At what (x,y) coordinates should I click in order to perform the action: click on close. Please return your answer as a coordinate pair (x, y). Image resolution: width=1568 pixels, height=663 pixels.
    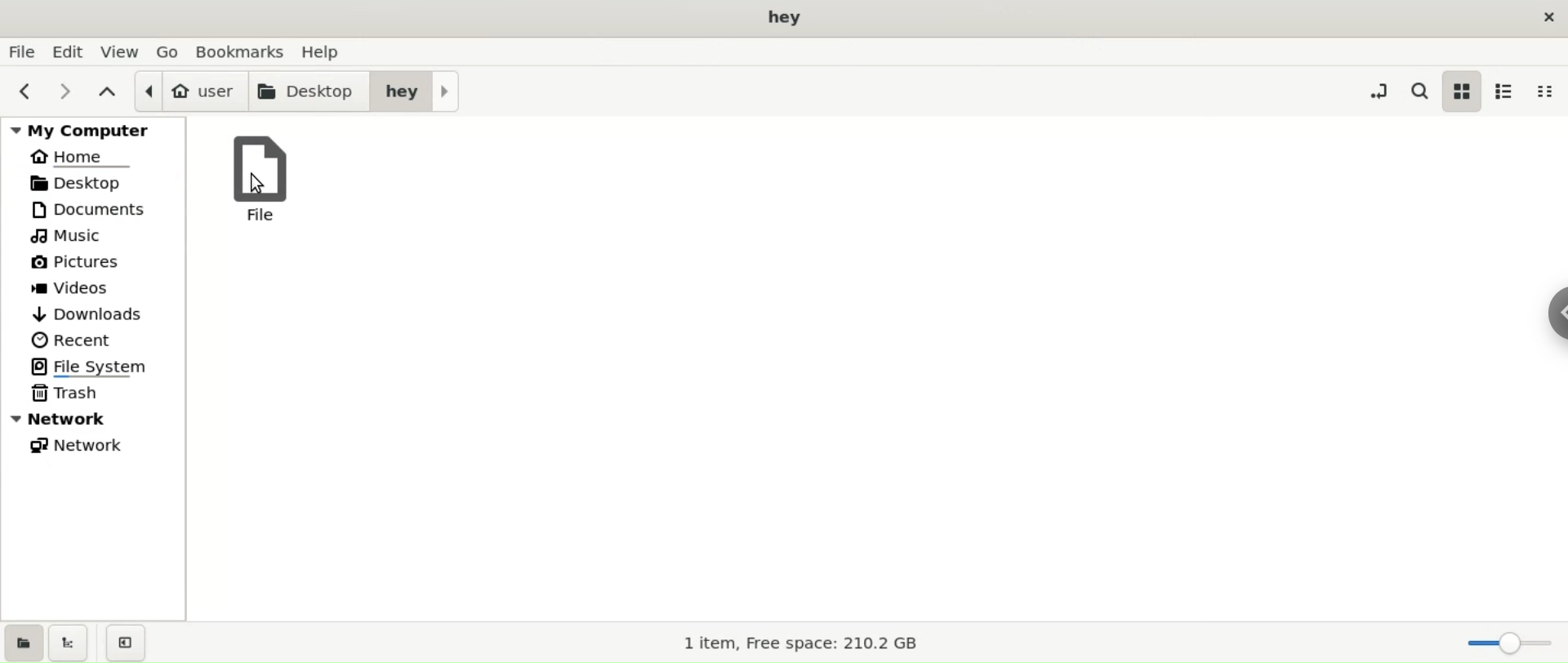
    Looking at the image, I should click on (1547, 19).